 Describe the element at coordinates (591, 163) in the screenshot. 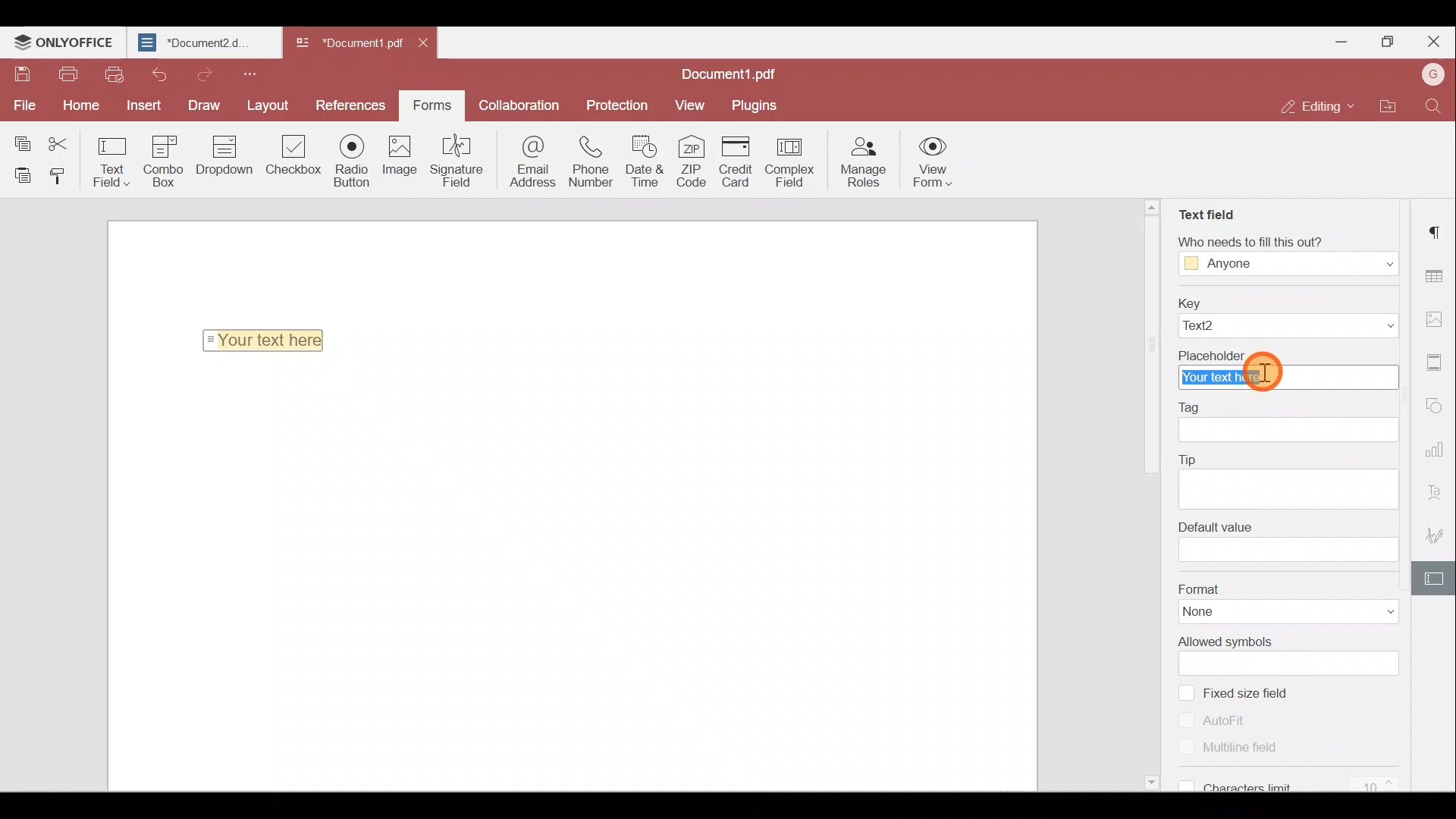

I see `Phone number` at that location.